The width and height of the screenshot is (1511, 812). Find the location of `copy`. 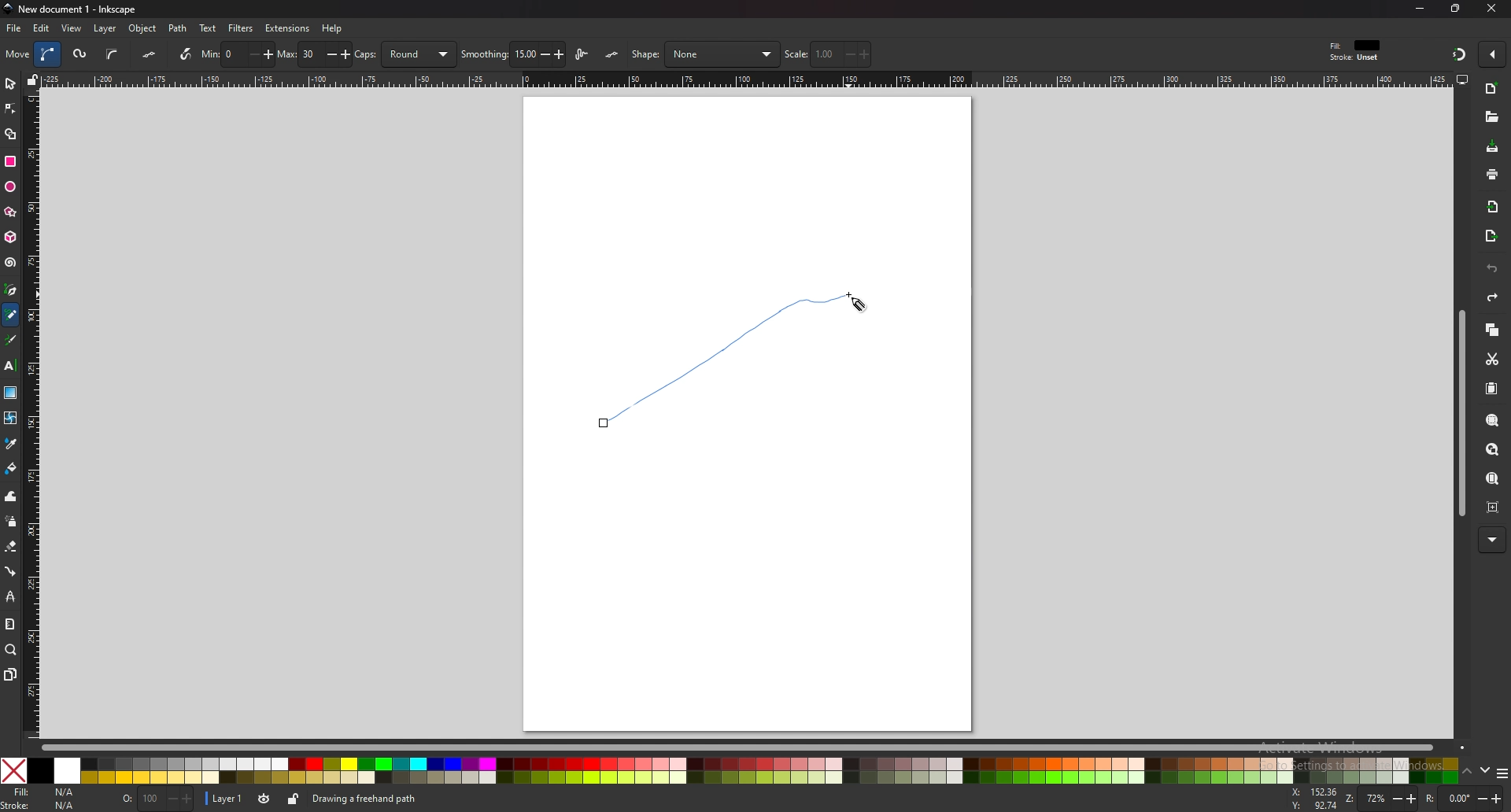

copy is located at coordinates (1491, 330).